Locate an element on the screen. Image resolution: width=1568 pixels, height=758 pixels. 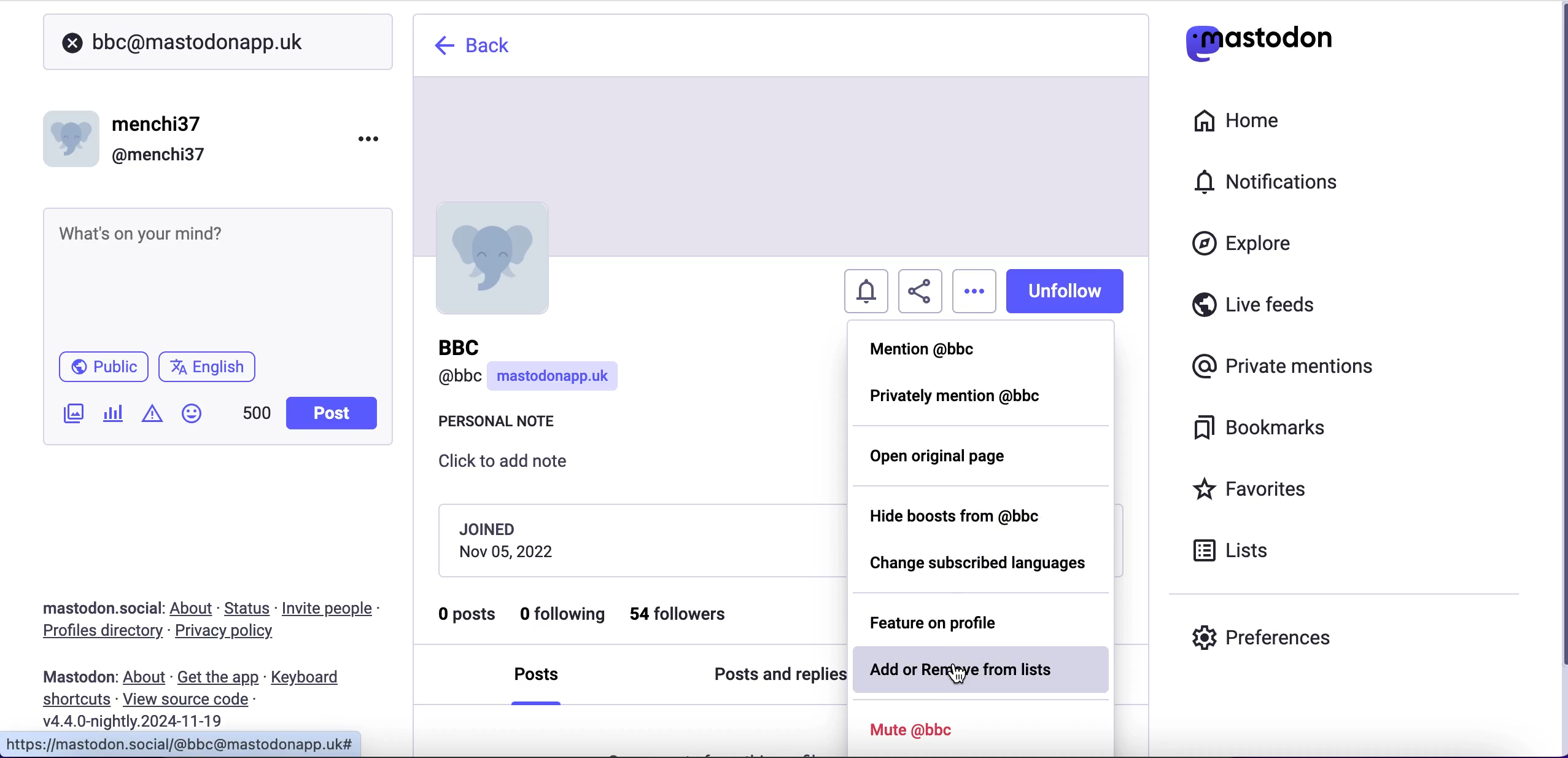
emojis is located at coordinates (197, 420).